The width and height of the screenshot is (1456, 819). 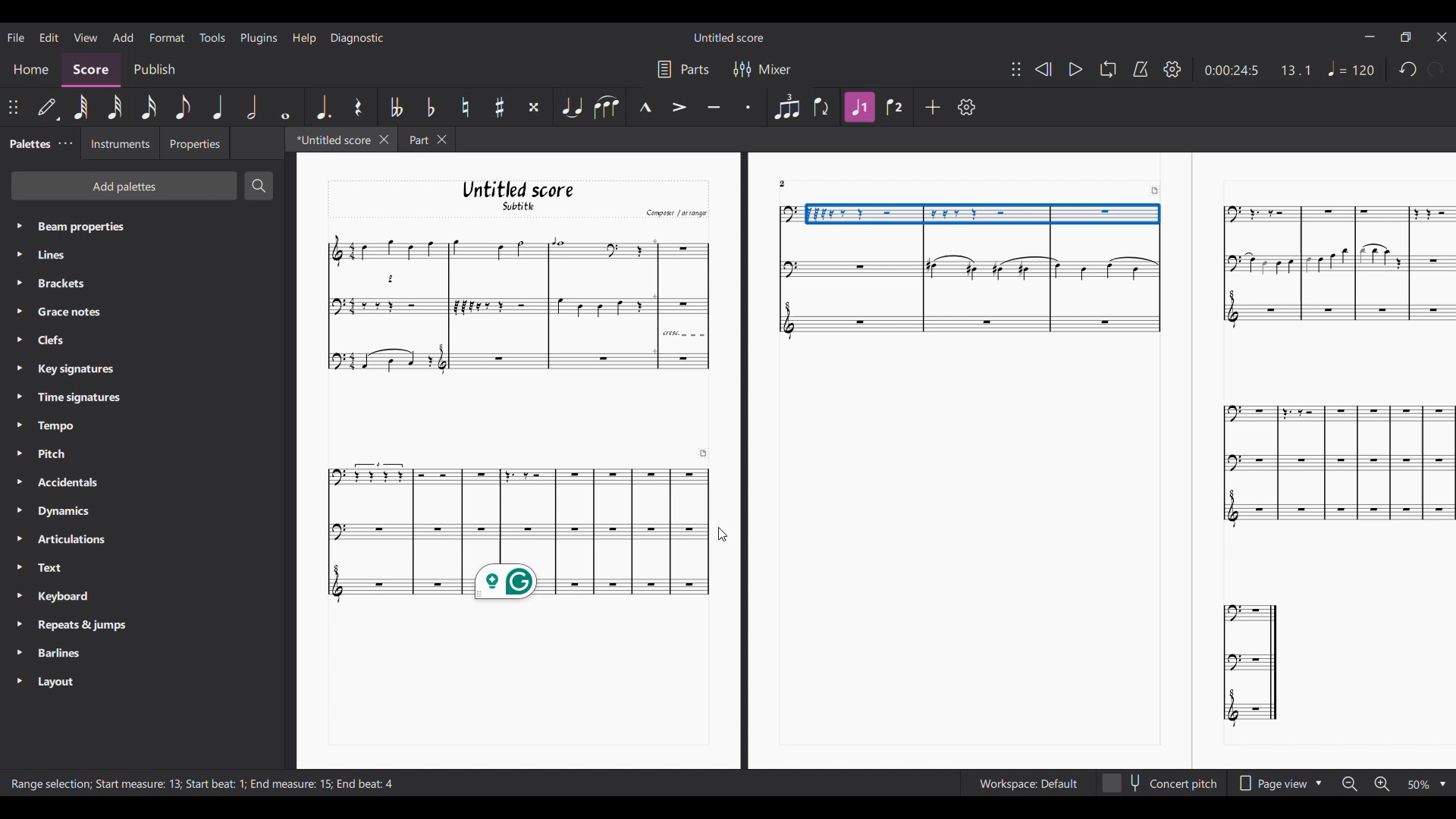 I want to click on » Lines, so click(x=66, y=256).